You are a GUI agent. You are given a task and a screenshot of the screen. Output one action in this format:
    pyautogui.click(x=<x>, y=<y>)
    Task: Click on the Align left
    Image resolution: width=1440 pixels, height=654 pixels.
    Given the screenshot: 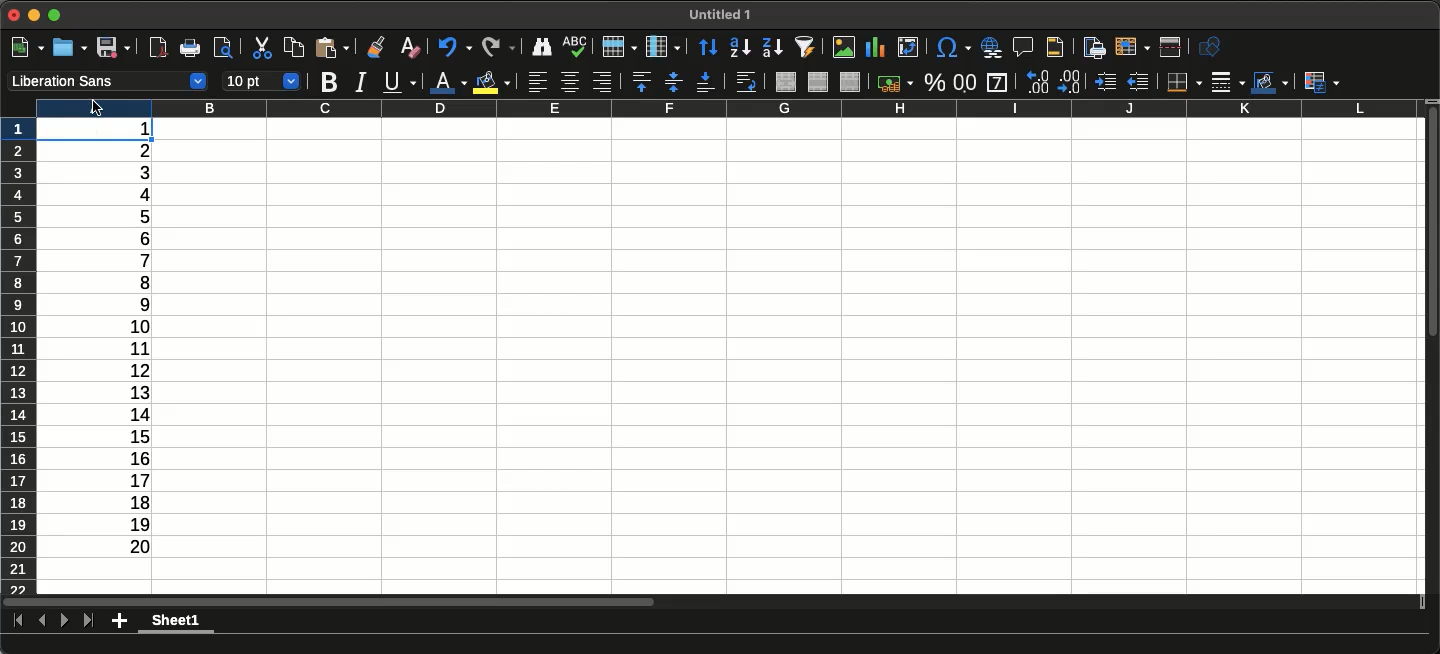 What is the action you would take?
    pyautogui.click(x=539, y=83)
    